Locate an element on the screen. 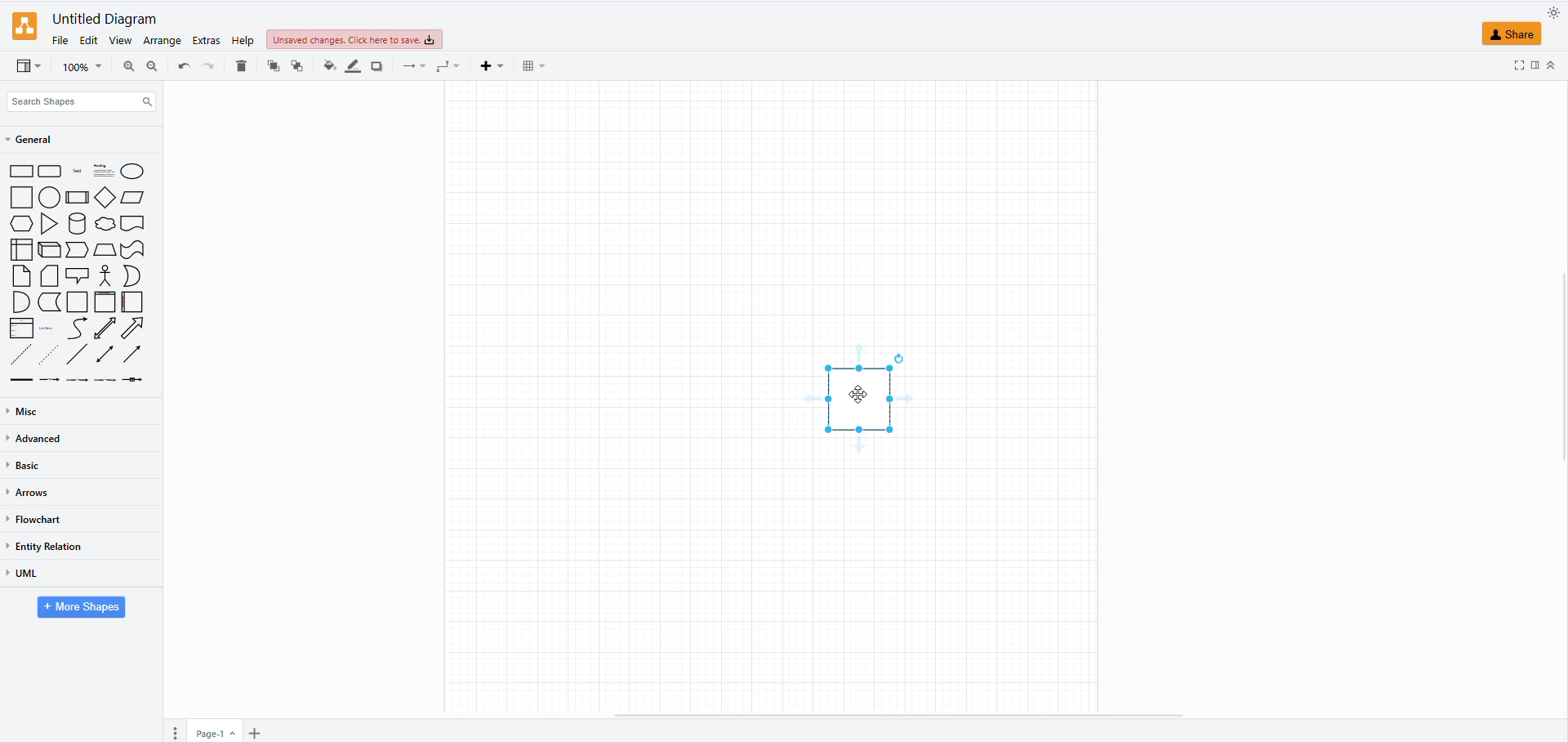  internal storage is located at coordinates (22, 249).